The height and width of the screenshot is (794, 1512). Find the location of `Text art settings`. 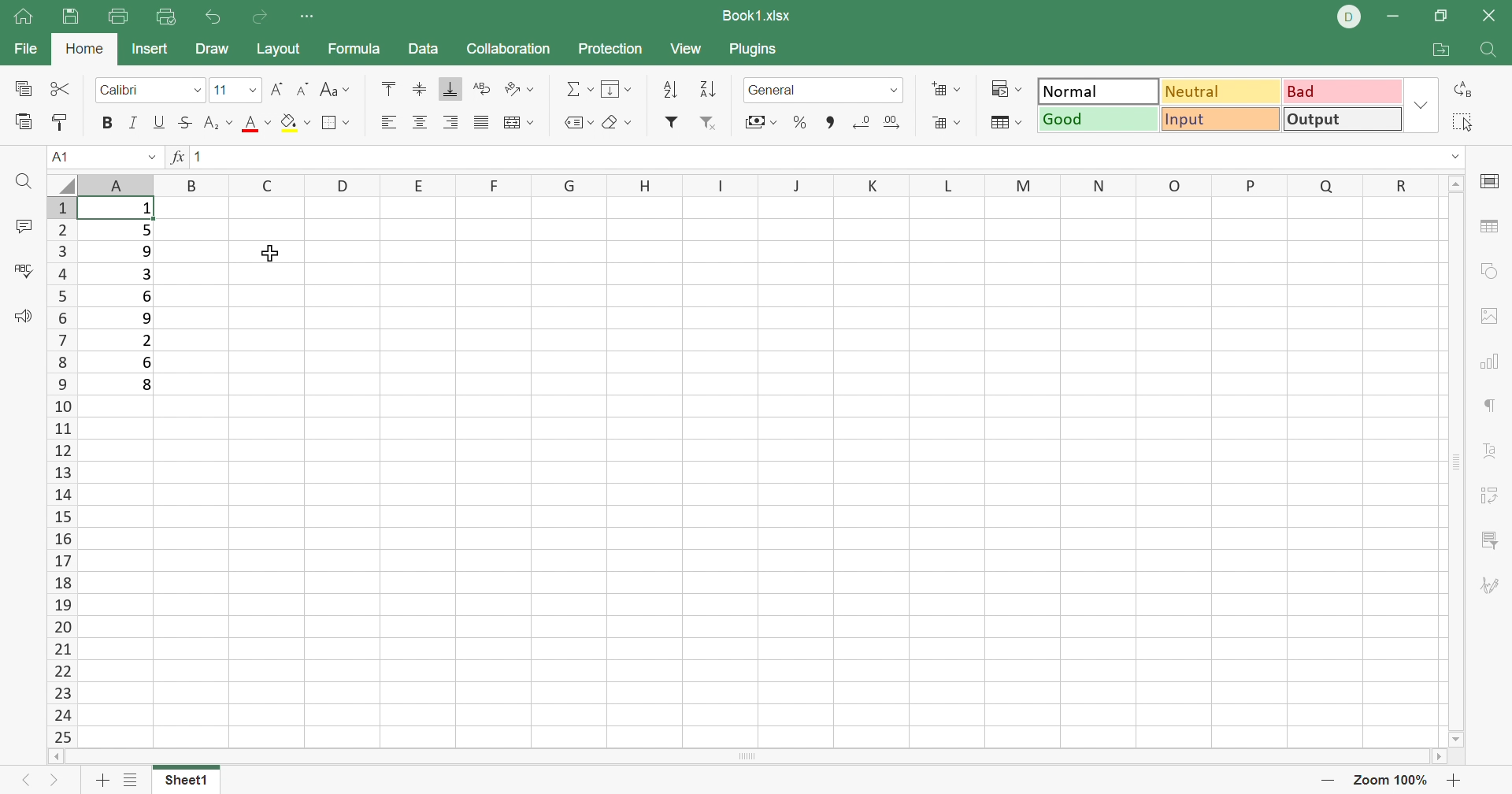

Text art settings is located at coordinates (1494, 452).